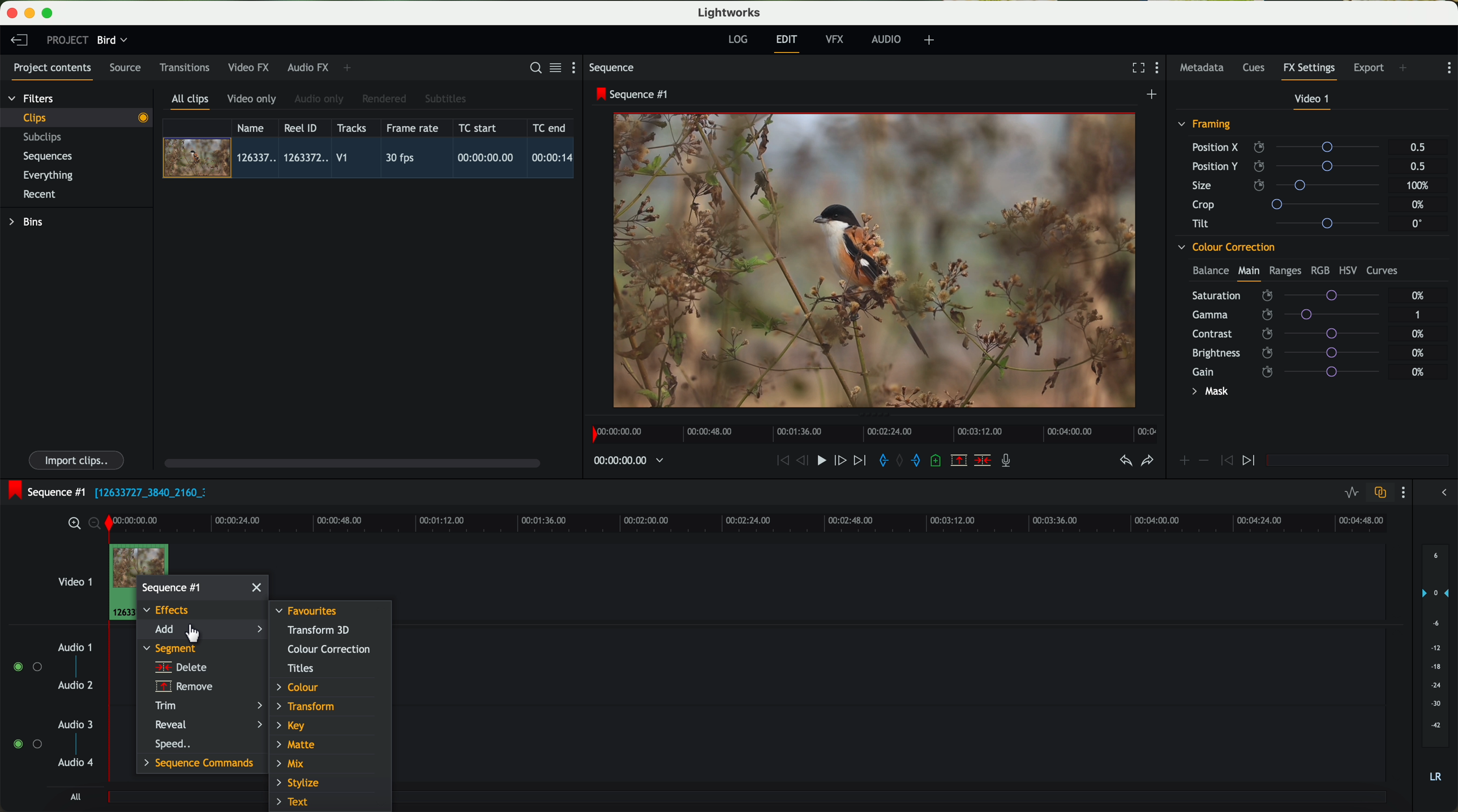 The image size is (1458, 812). What do you see at coordinates (77, 117) in the screenshot?
I see `clips` at bounding box center [77, 117].